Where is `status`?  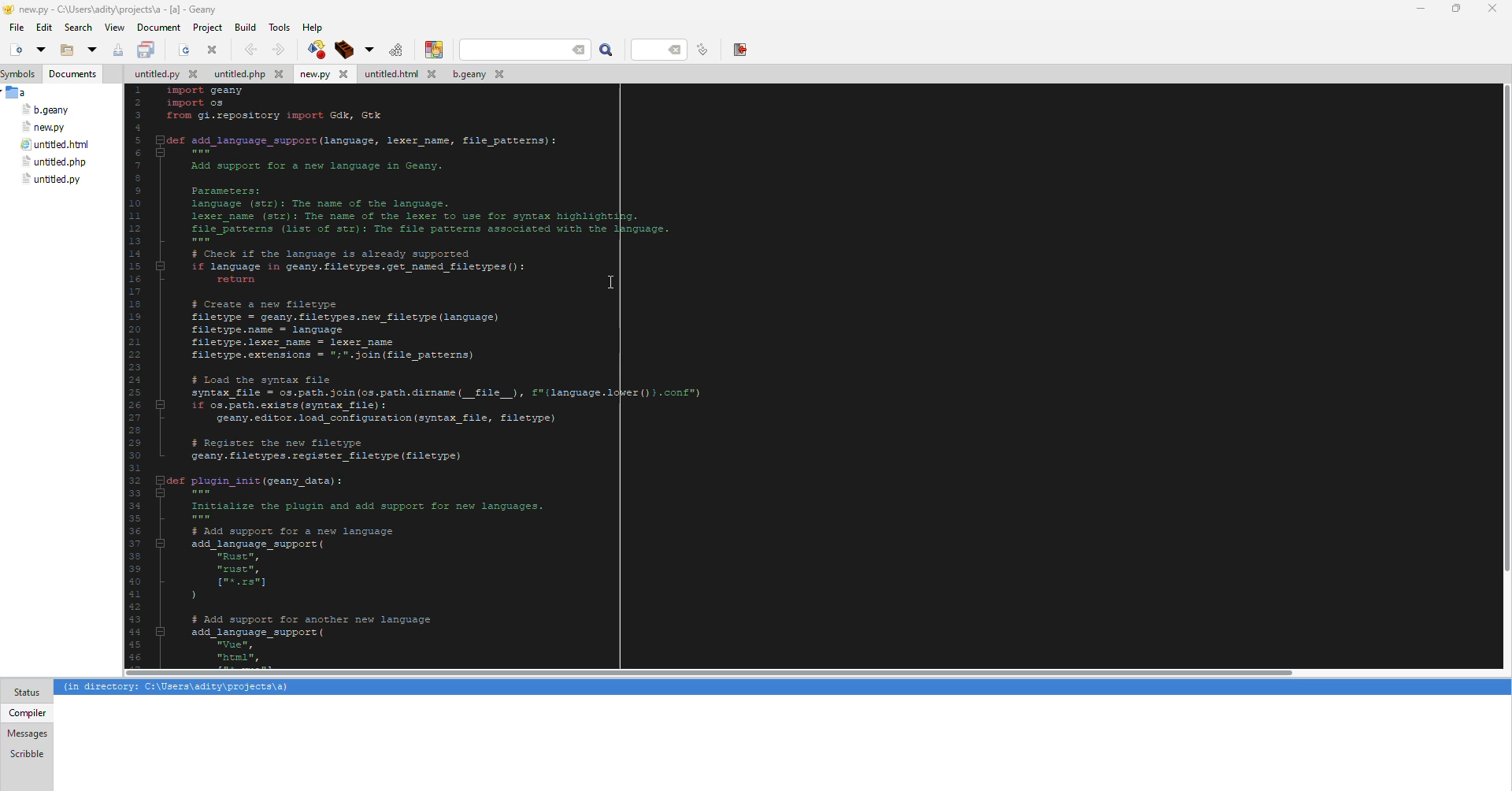
status is located at coordinates (30, 693).